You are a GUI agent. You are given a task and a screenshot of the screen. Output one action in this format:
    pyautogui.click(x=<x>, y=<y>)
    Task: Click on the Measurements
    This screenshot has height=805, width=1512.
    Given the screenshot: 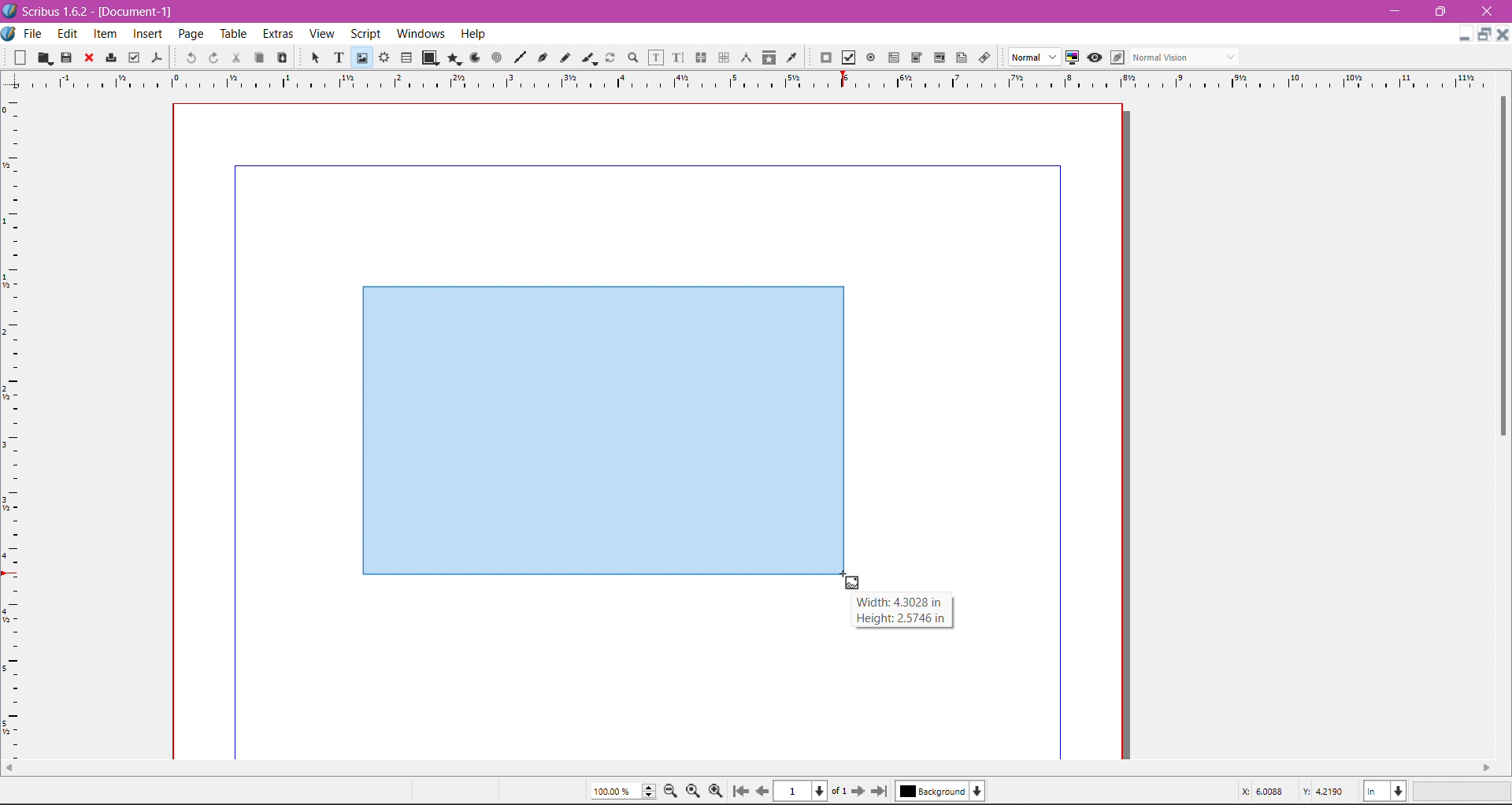 What is the action you would take?
    pyautogui.click(x=747, y=57)
    